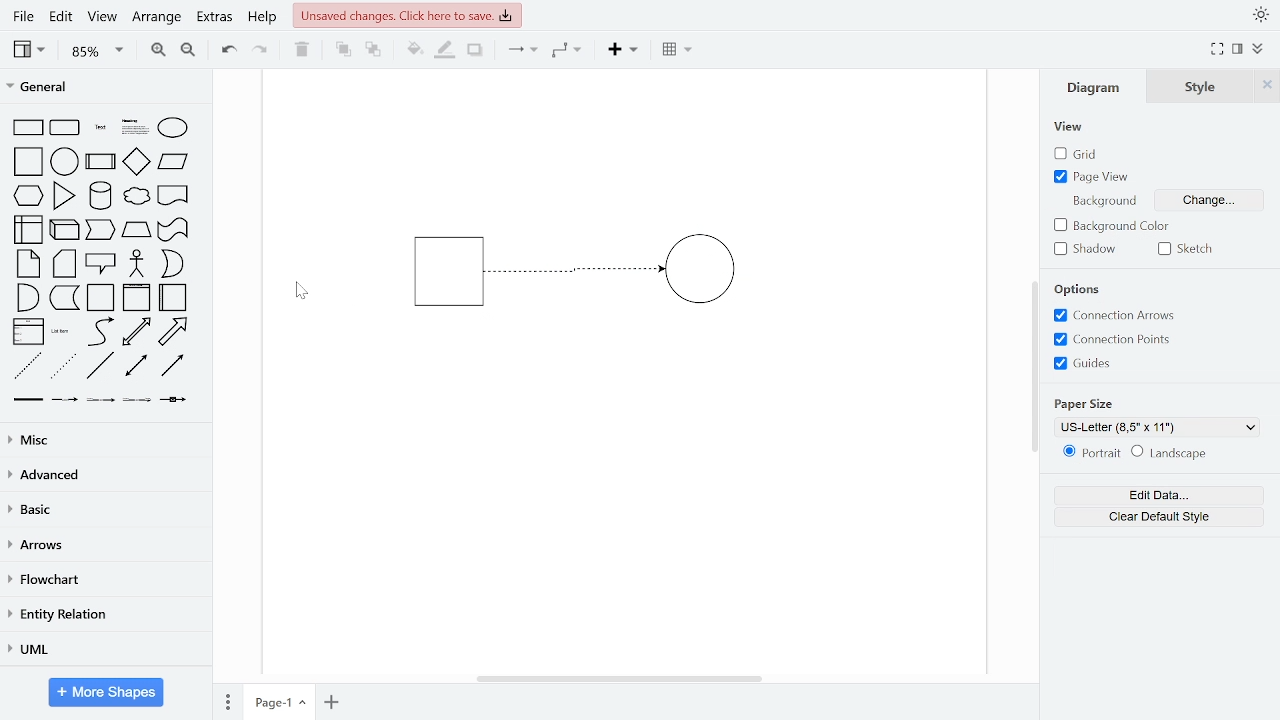 The image size is (1280, 720). Describe the element at coordinates (572, 50) in the screenshot. I see `waypoints` at that location.